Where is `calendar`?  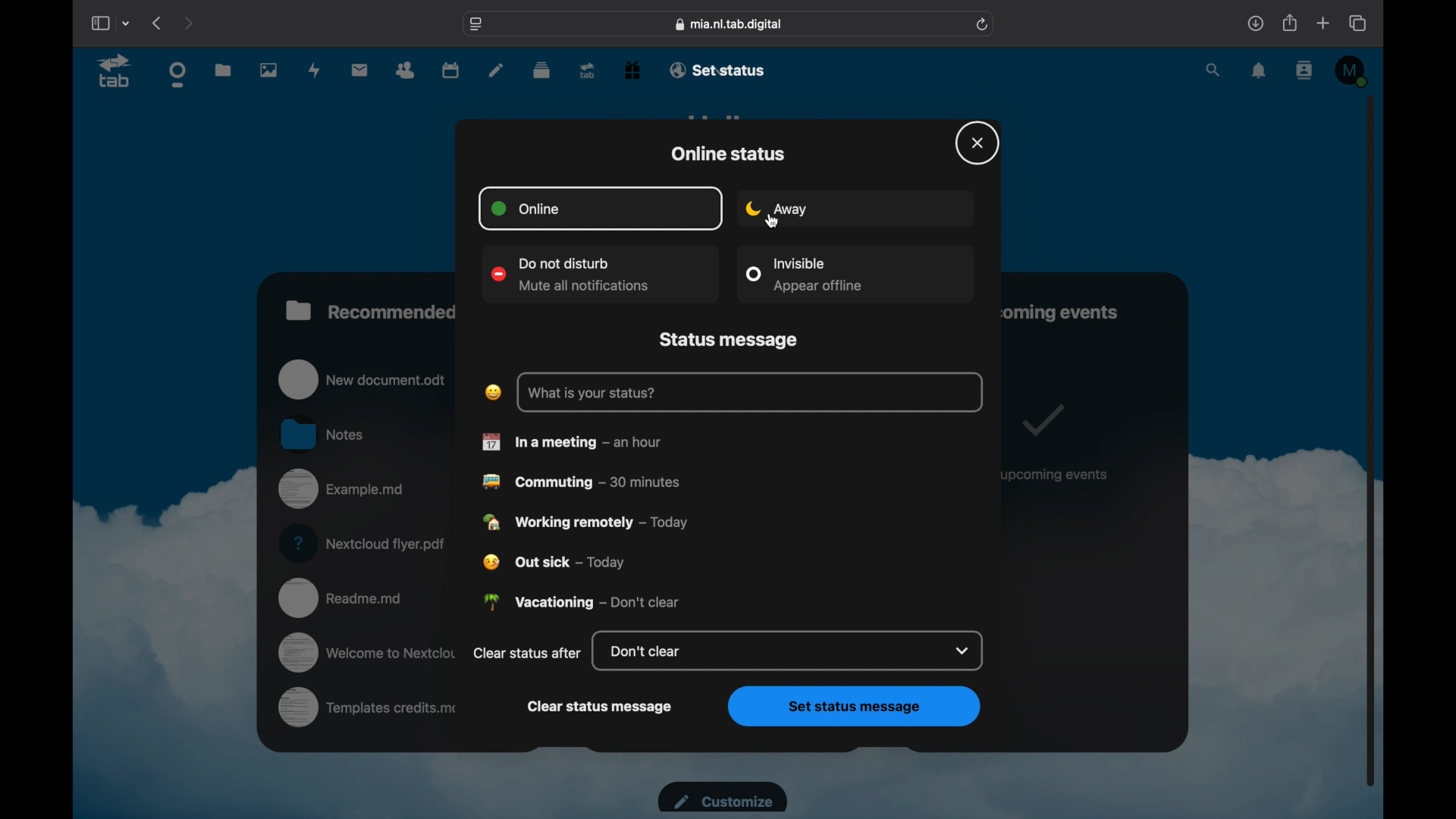
calendar is located at coordinates (450, 69).